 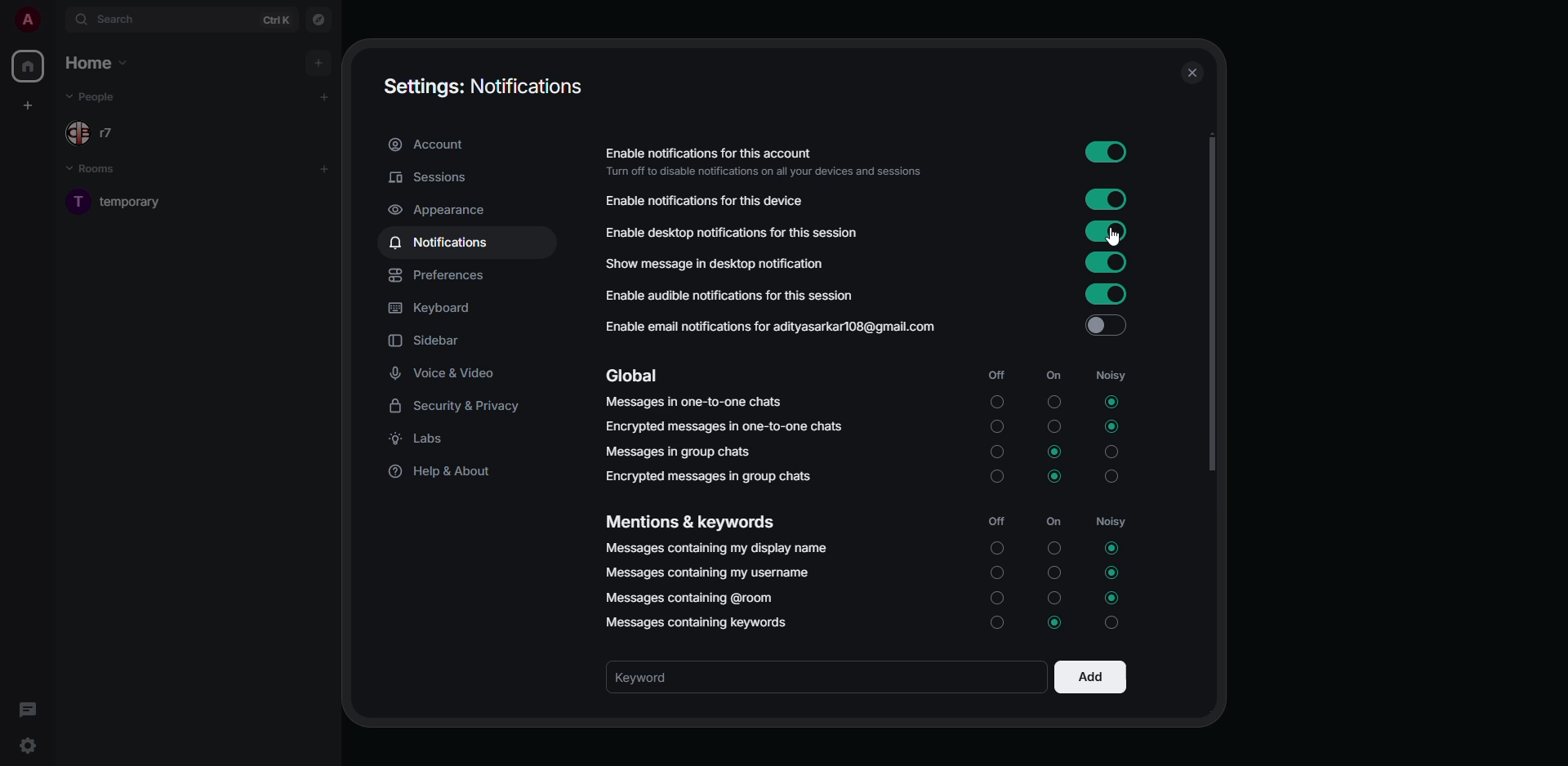 What do you see at coordinates (432, 145) in the screenshot?
I see `account` at bounding box center [432, 145].